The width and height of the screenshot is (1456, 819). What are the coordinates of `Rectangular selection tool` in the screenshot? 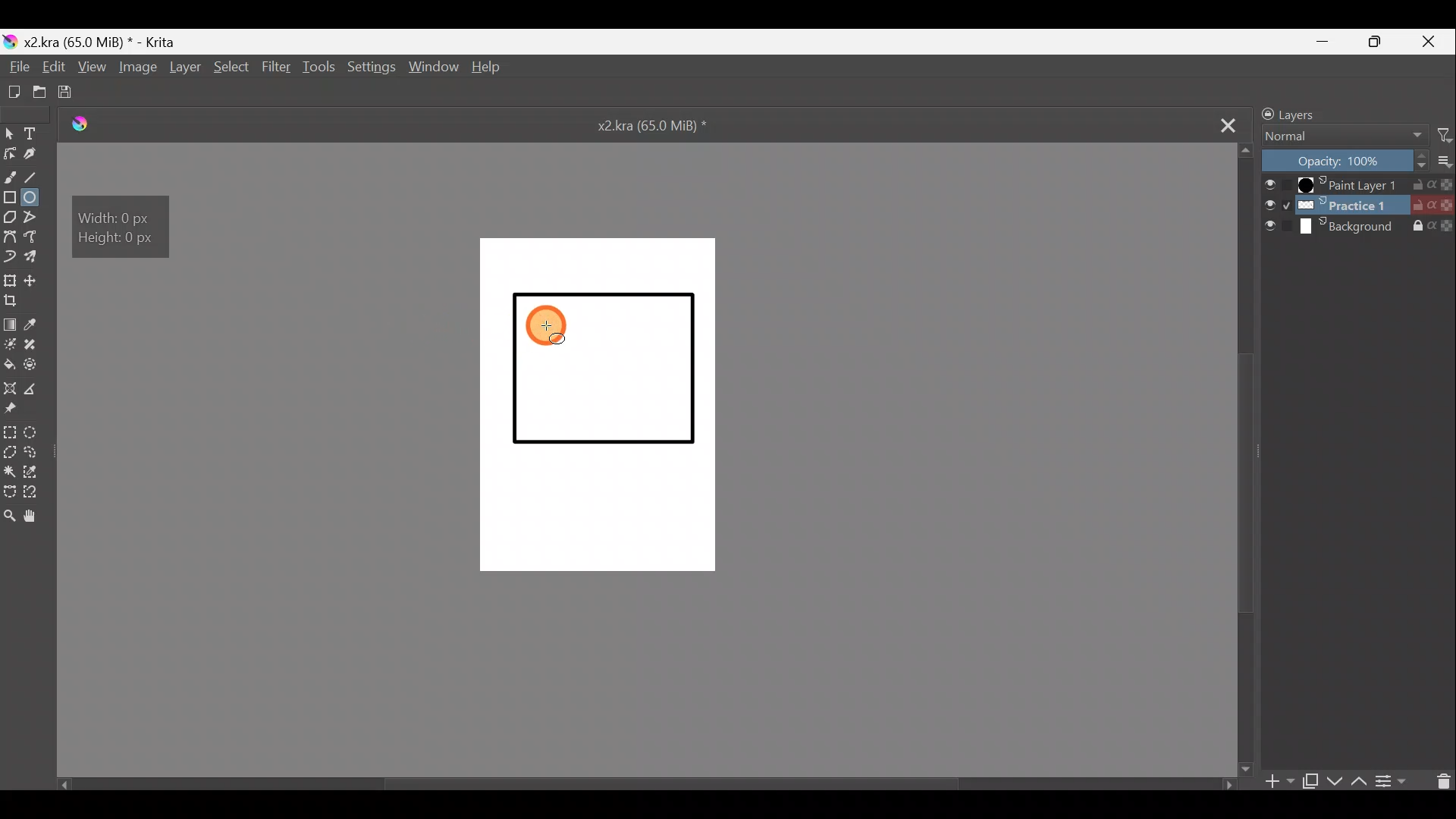 It's located at (10, 431).